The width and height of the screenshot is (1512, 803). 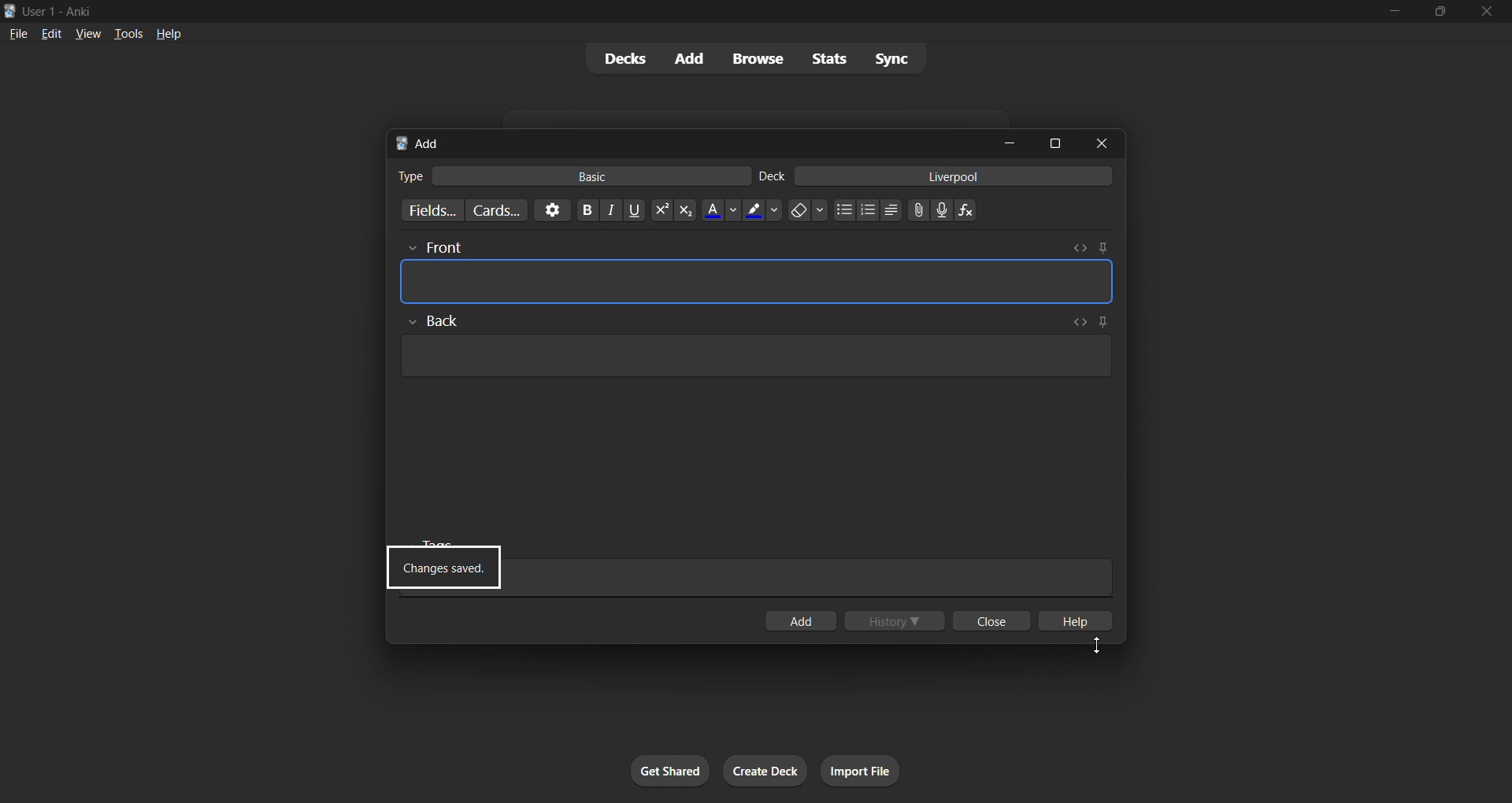 I want to click on pin, so click(x=1104, y=319).